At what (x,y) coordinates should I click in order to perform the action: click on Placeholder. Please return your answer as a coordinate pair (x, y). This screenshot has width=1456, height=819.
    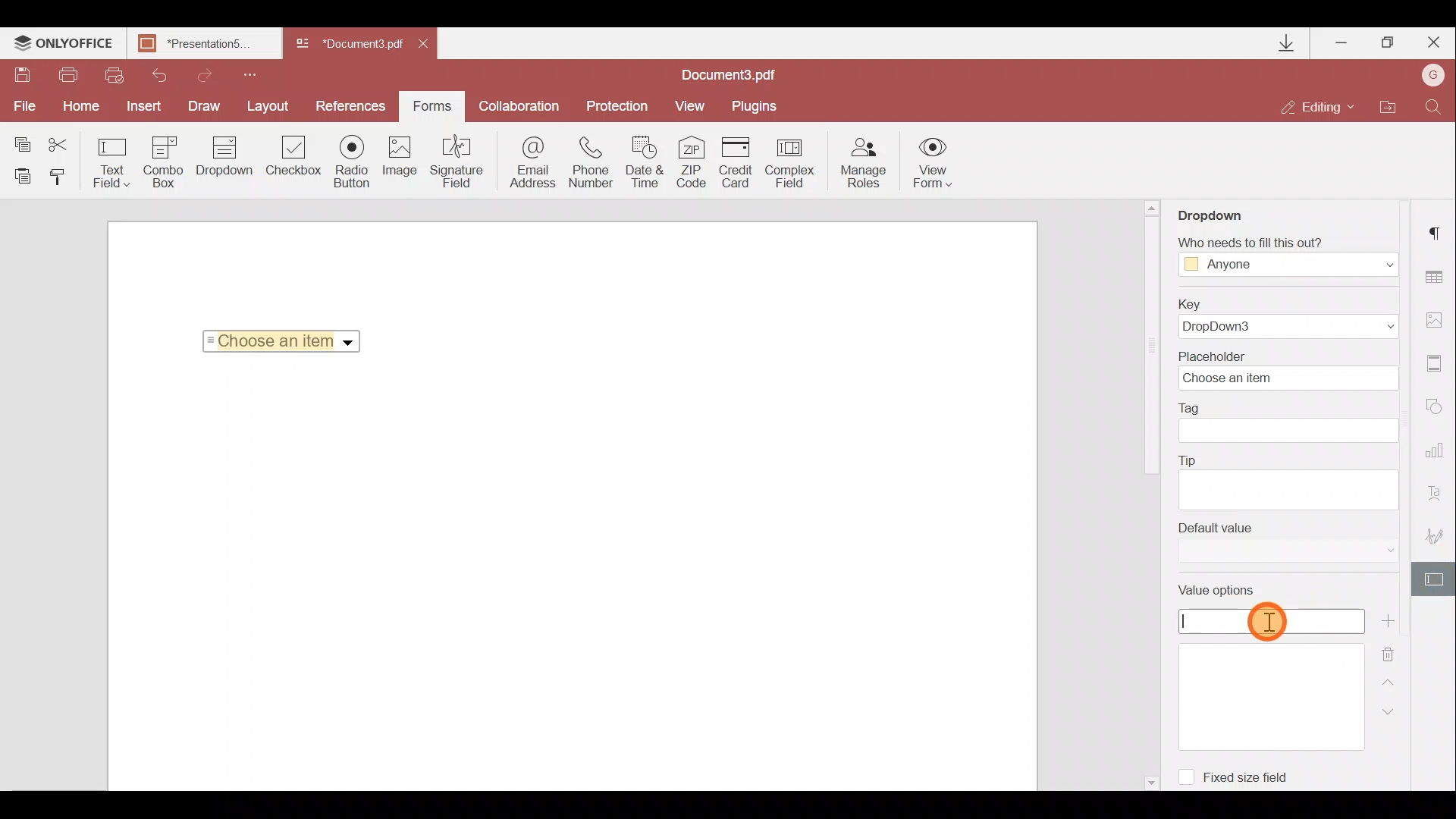
    Looking at the image, I should click on (1285, 370).